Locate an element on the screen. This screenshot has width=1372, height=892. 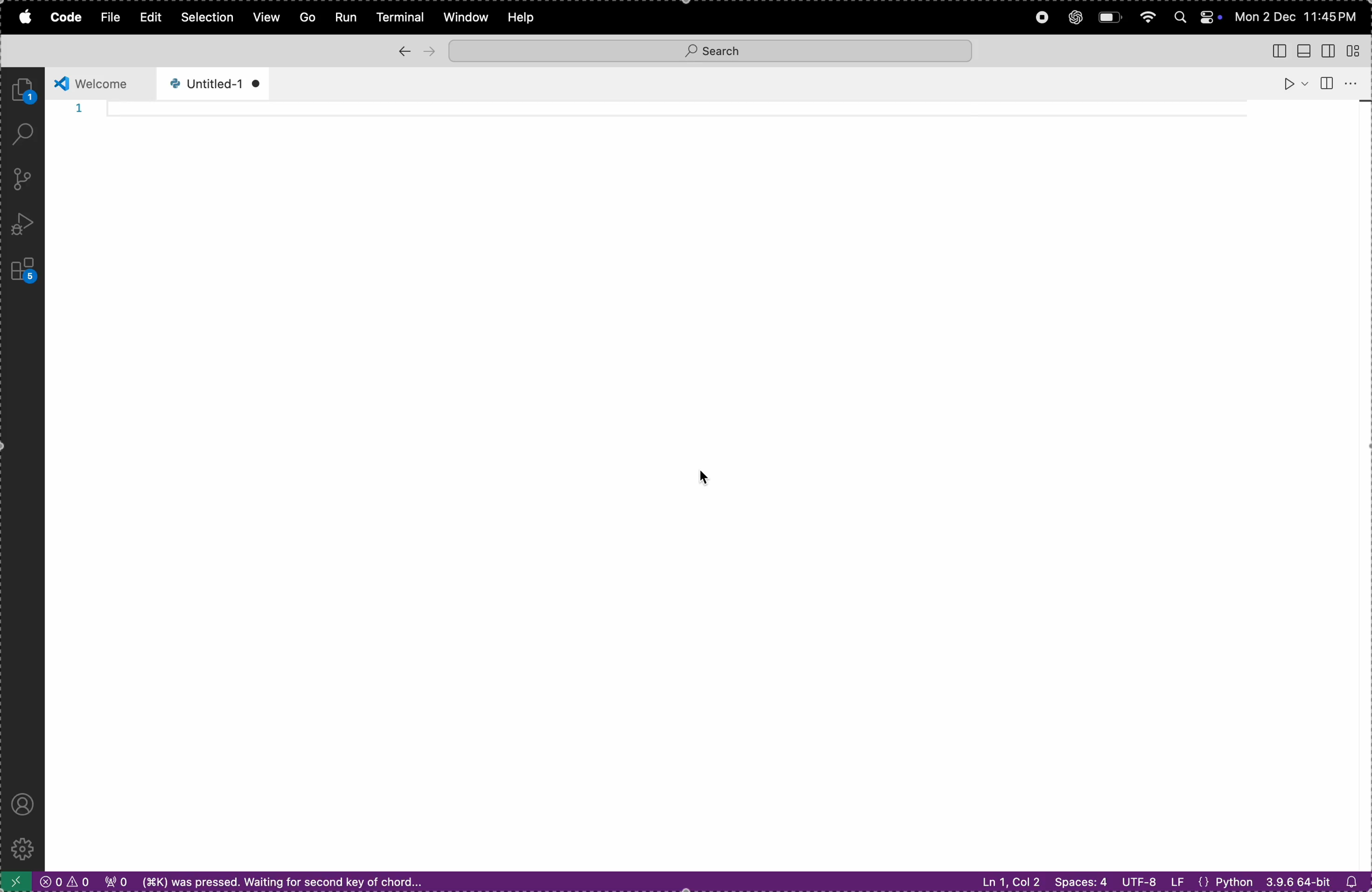
back is located at coordinates (401, 51).